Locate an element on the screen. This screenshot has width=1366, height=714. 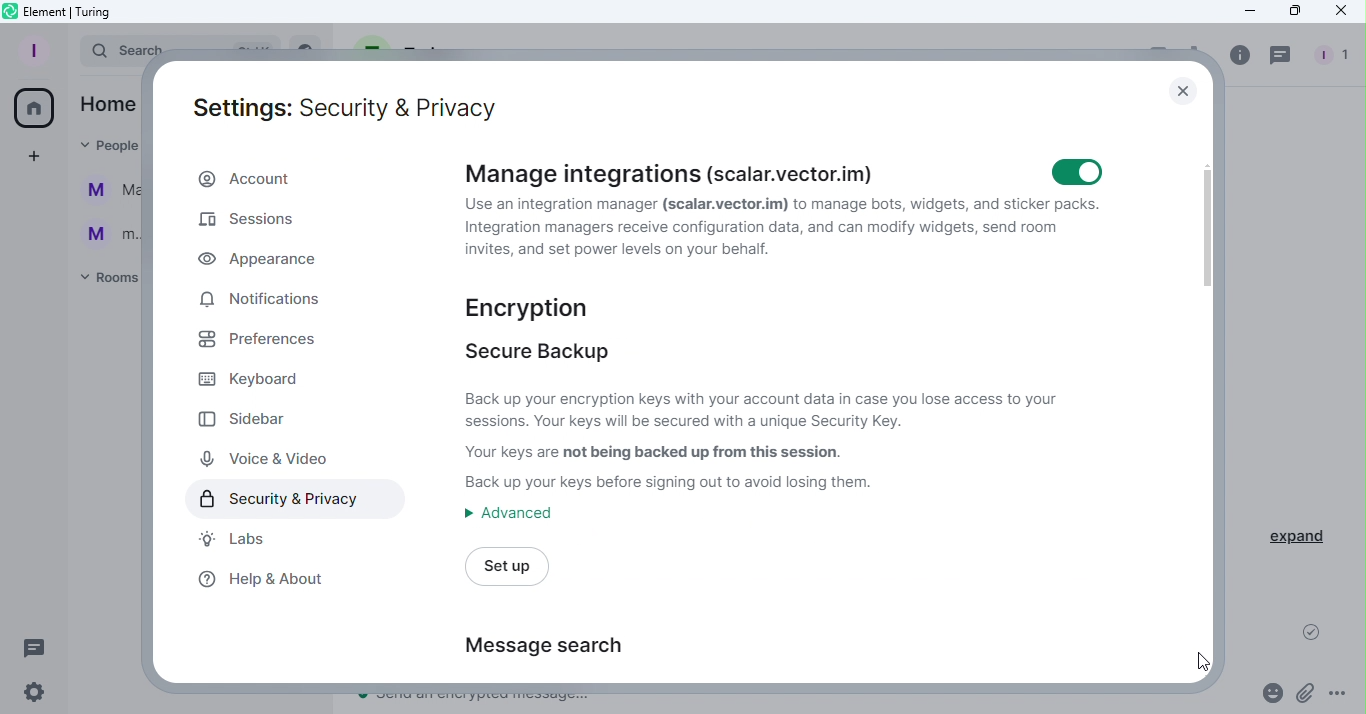
Help and about is located at coordinates (265, 582).